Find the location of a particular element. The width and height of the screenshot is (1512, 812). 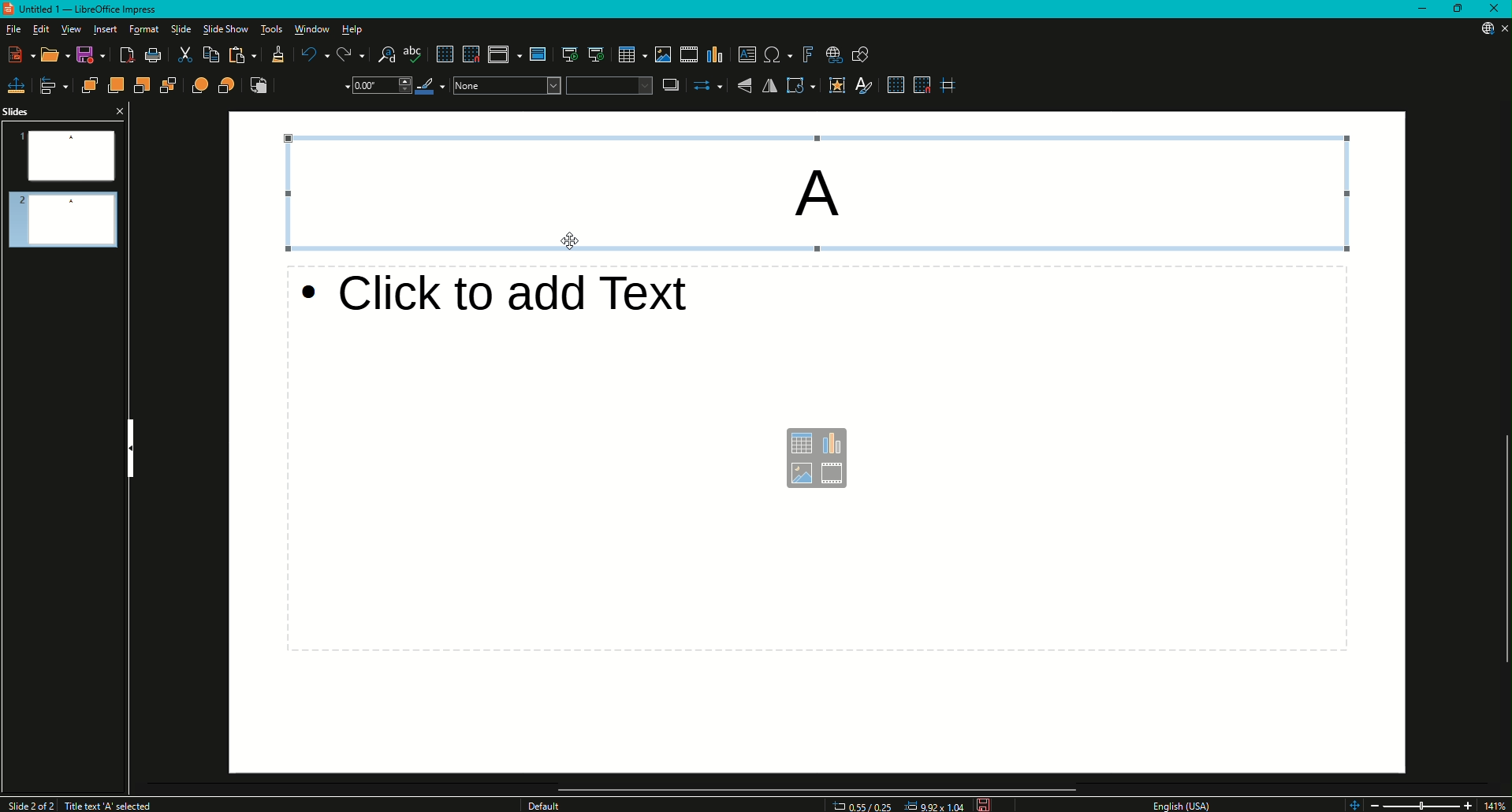

Show Styles Sidebar is located at coordinates (869, 86).